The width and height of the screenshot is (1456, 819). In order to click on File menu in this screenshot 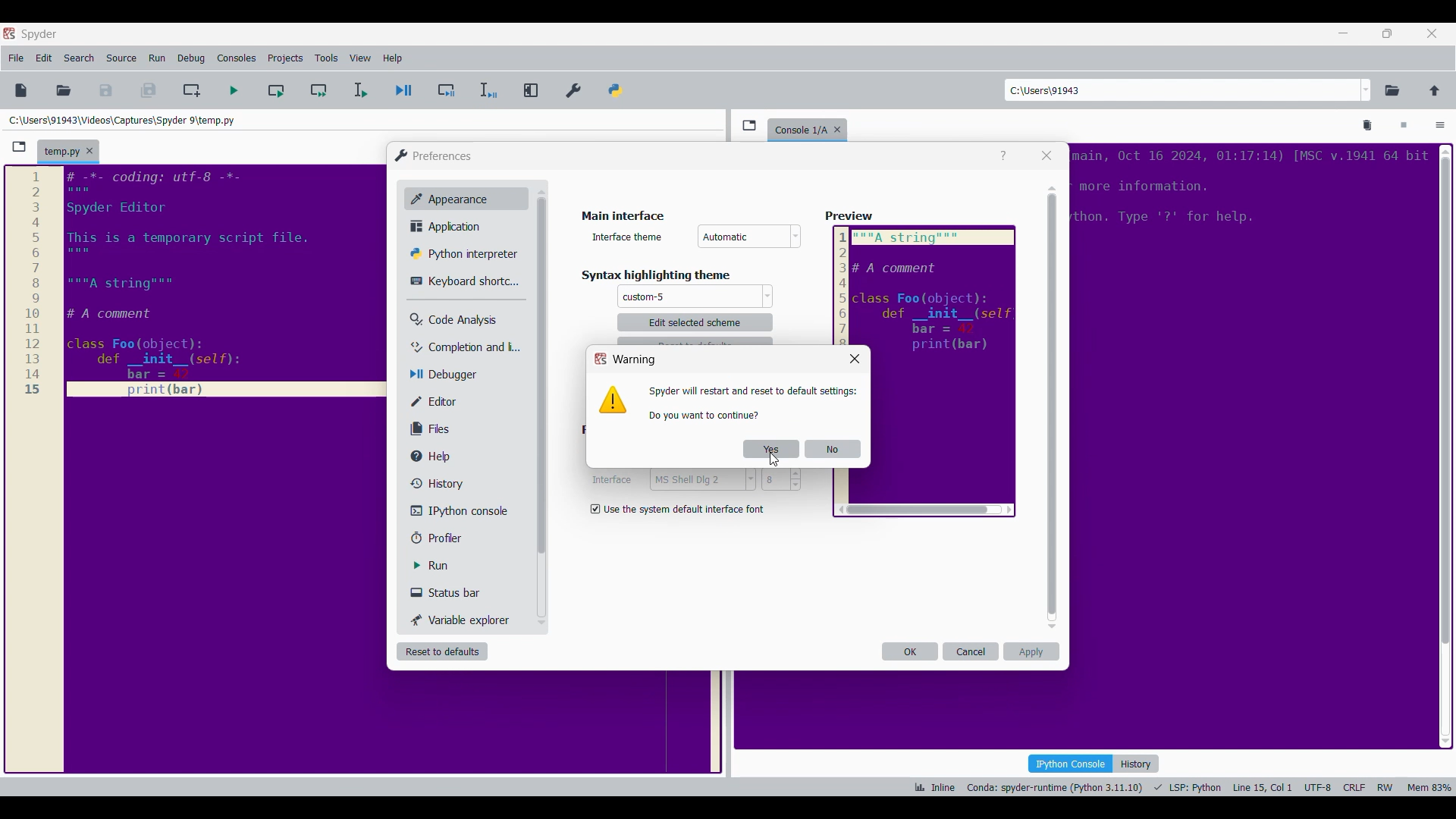, I will do `click(16, 58)`.